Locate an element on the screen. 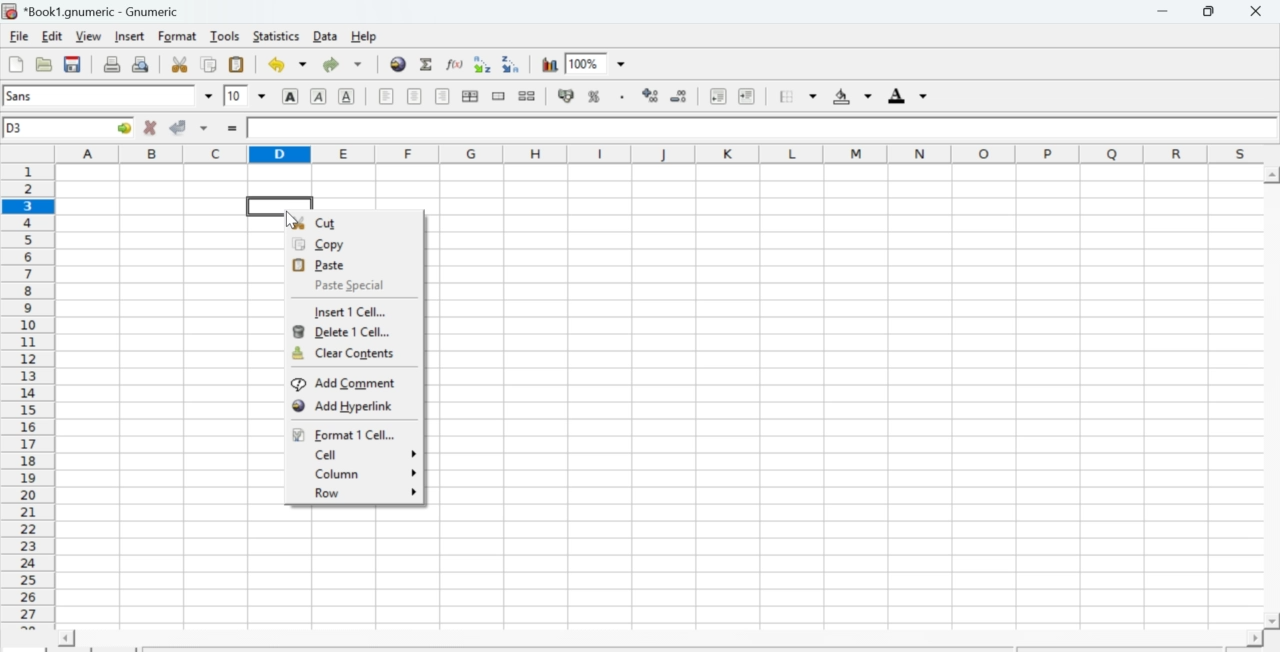 The height and width of the screenshot is (652, 1280). Edit function is located at coordinates (454, 67).